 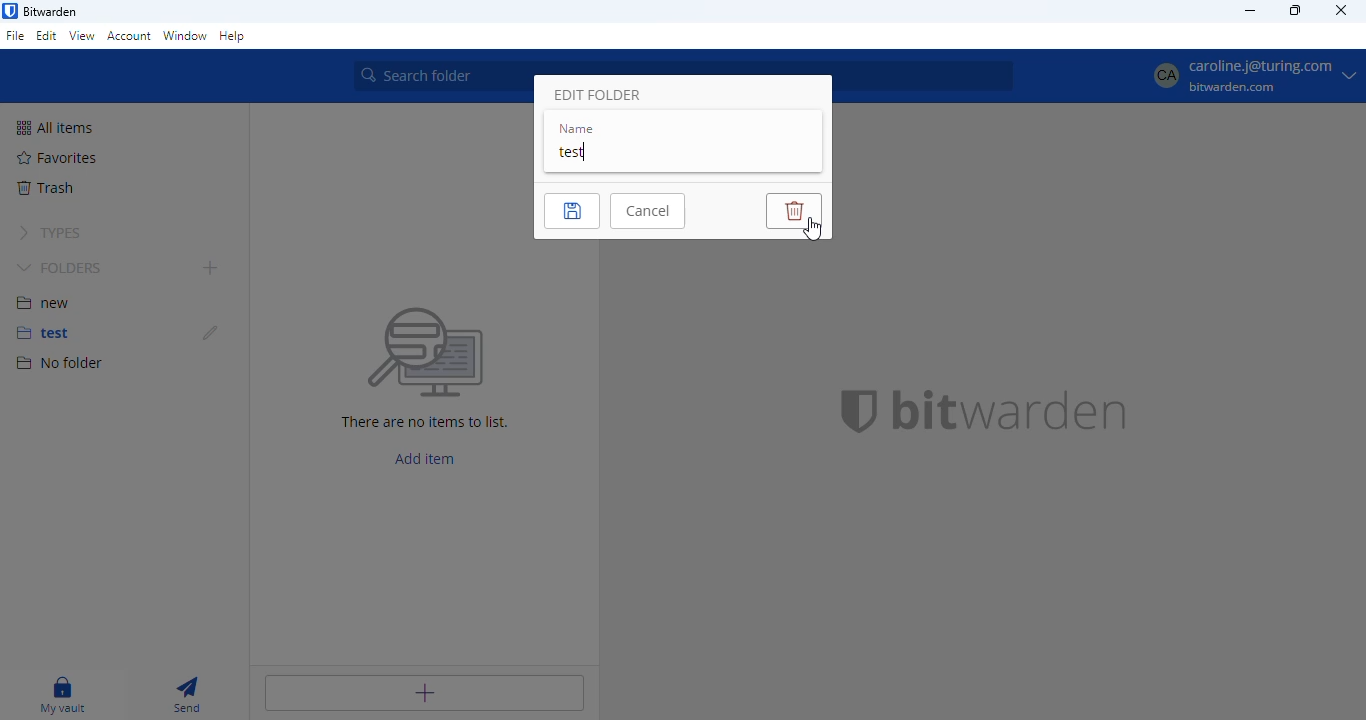 What do you see at coordinates (63, 695) in the screenshot?
I see `my vault` at bounding box center [63, 695].